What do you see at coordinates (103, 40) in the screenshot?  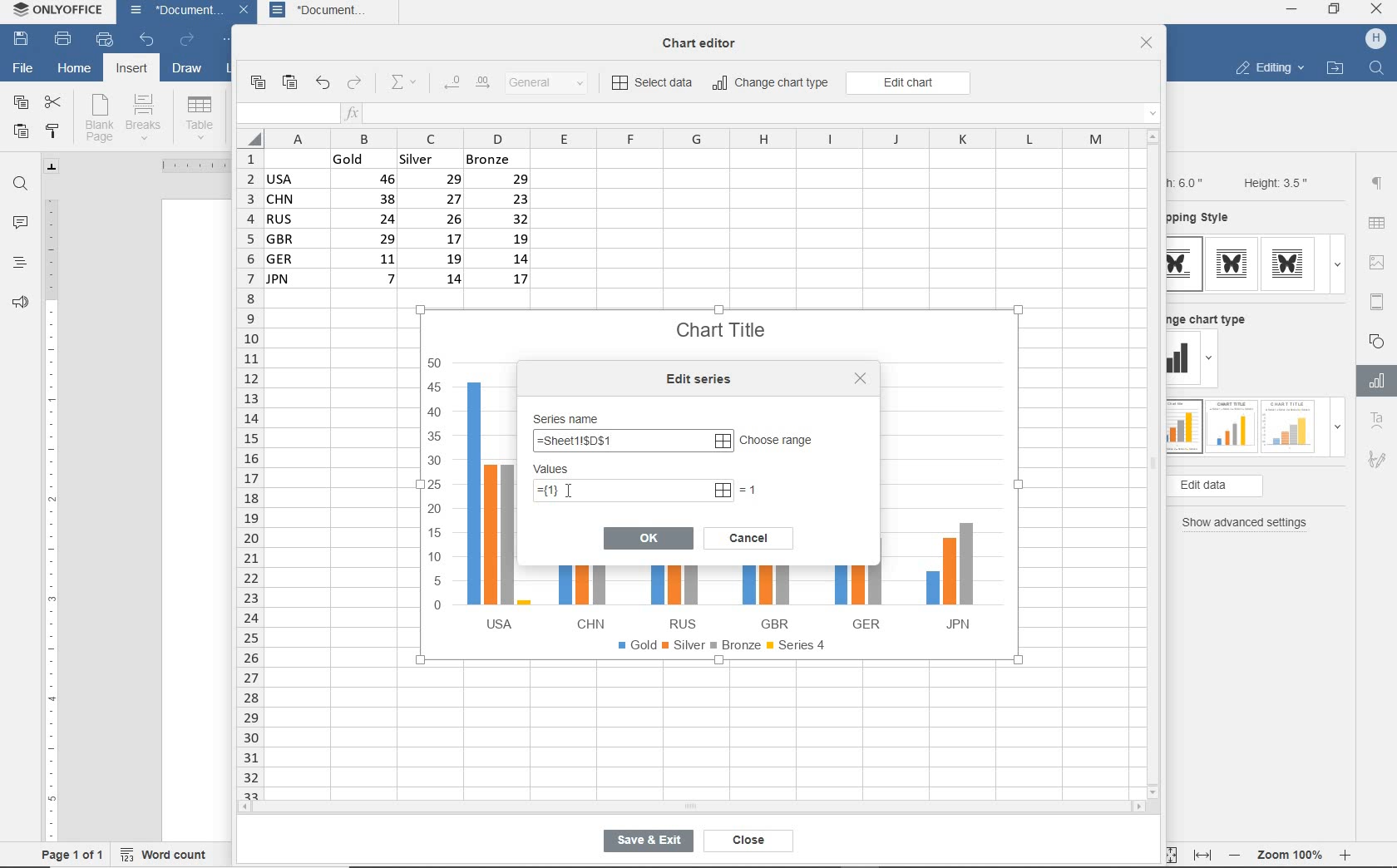 I see `quick print` at bounding box center [103, 40].